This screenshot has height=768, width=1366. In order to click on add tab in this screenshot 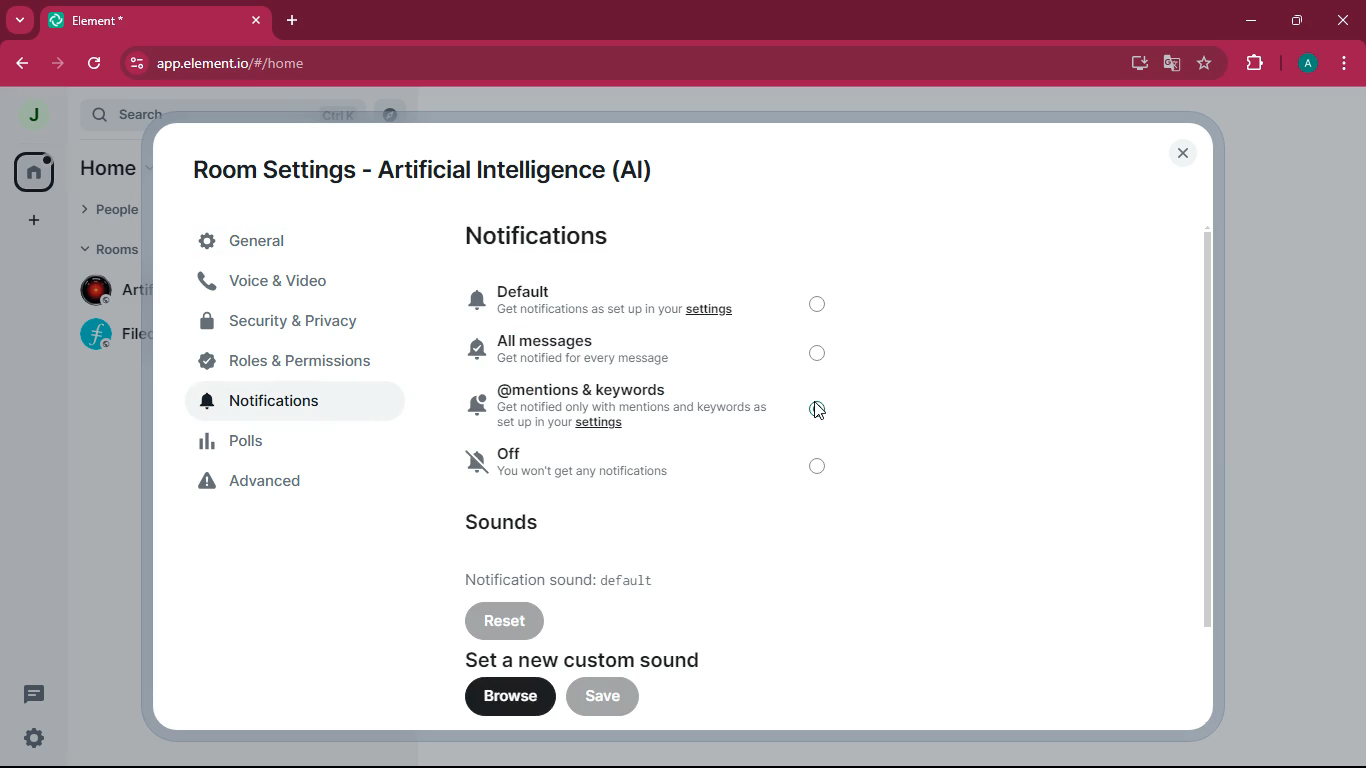, I will do `click(296, 22)`.